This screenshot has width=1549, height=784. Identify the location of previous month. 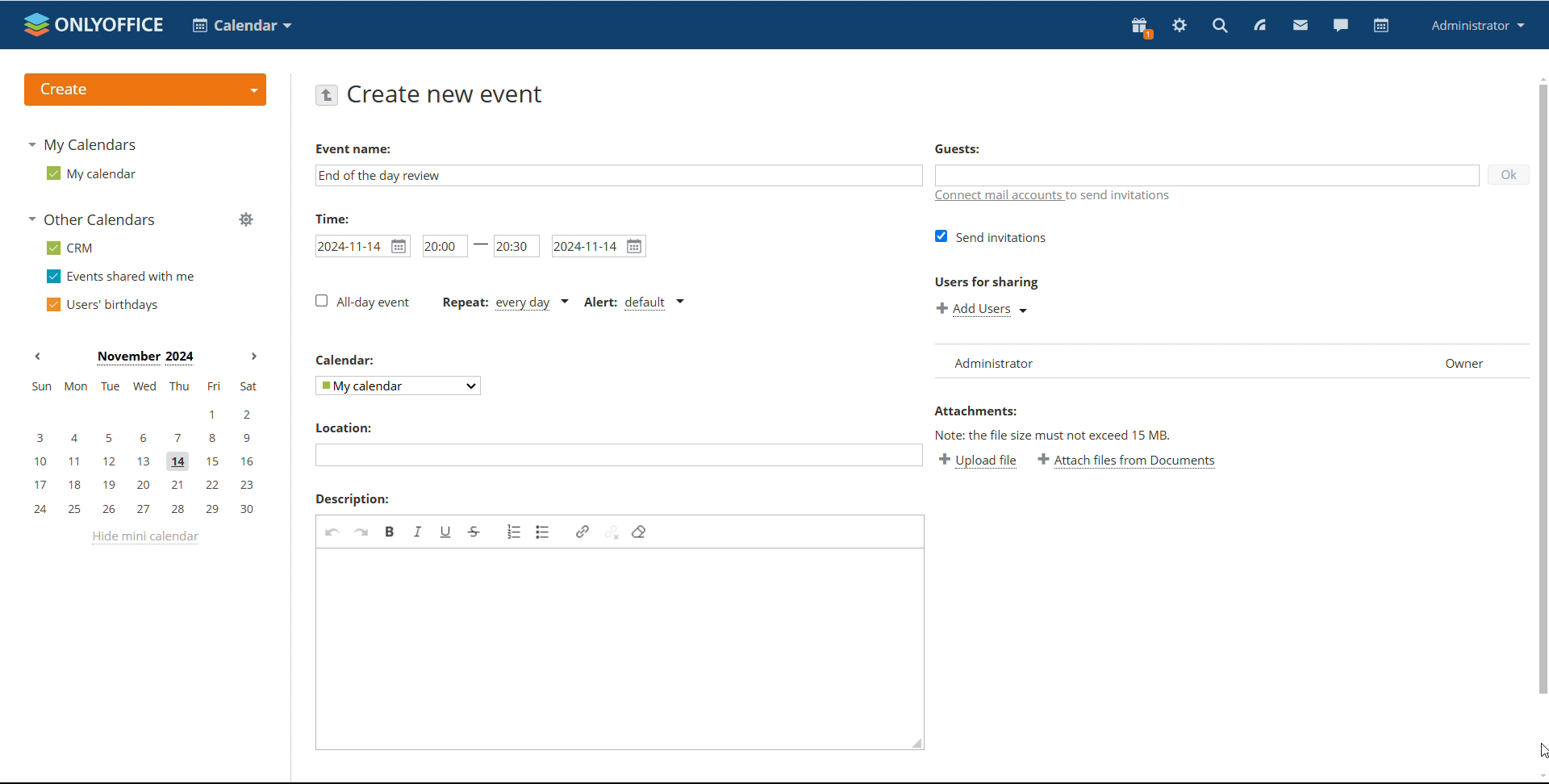
(37, 355).